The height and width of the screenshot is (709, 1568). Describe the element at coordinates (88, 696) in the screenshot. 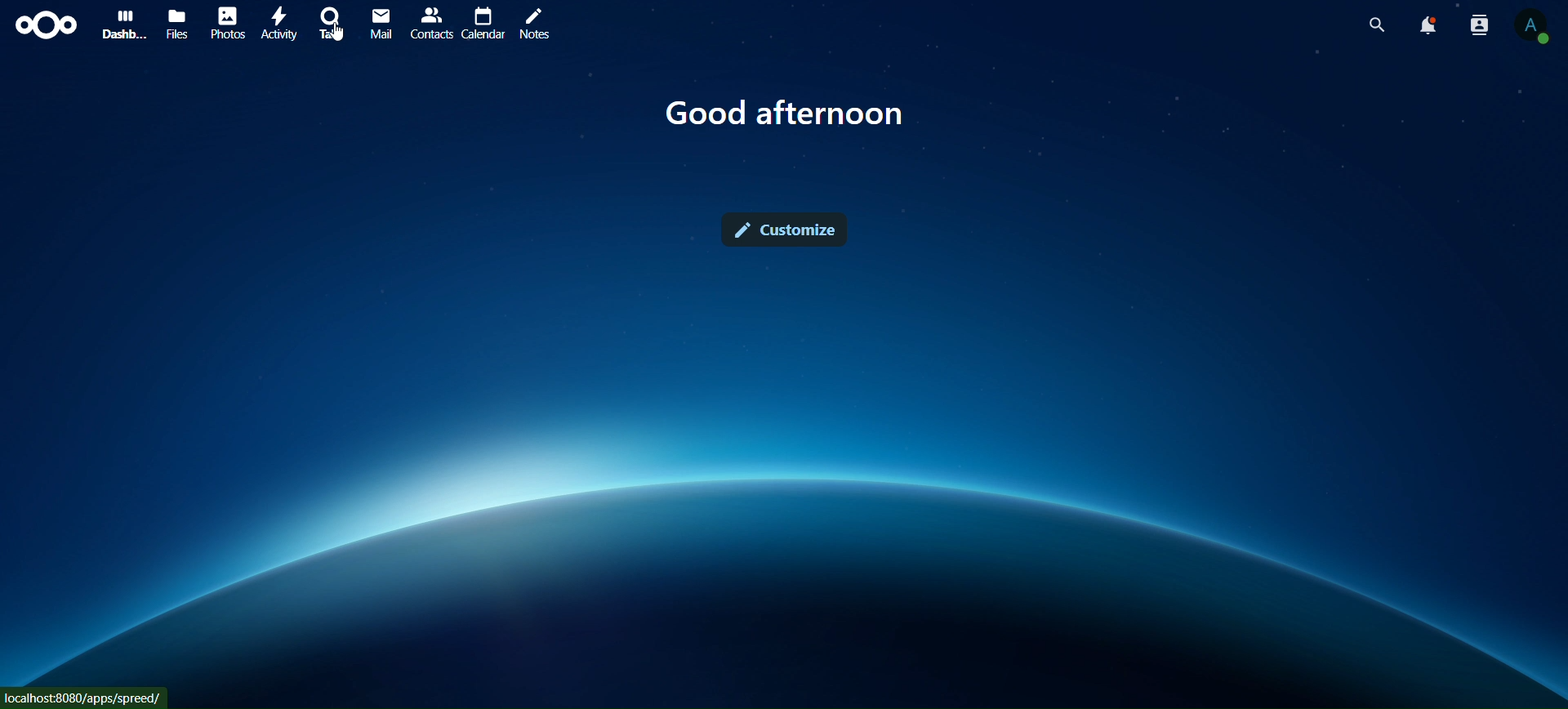

I see `localhost:8080\app` at that location.